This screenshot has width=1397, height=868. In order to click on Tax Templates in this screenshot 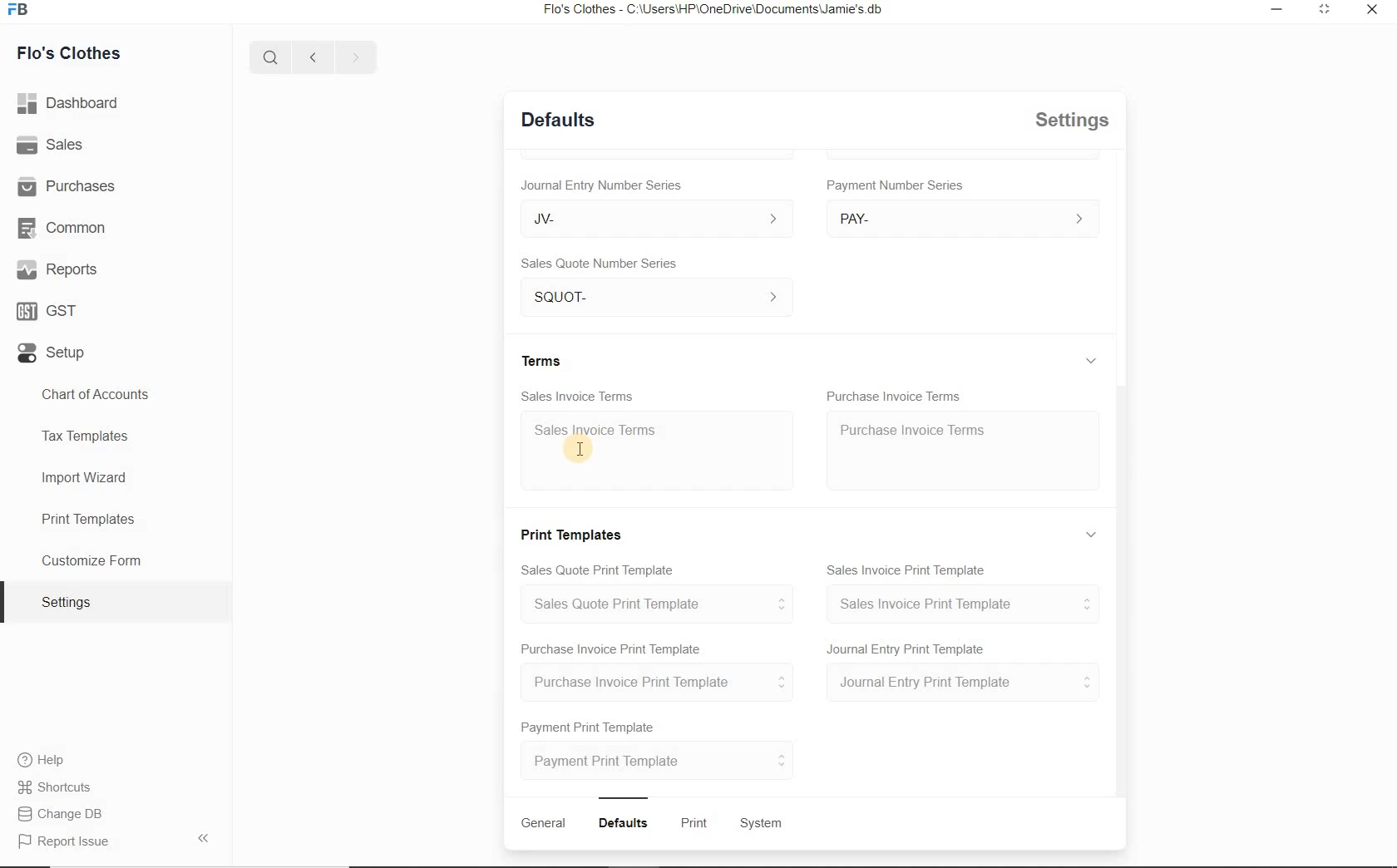, I will do `click(91, 435)`.